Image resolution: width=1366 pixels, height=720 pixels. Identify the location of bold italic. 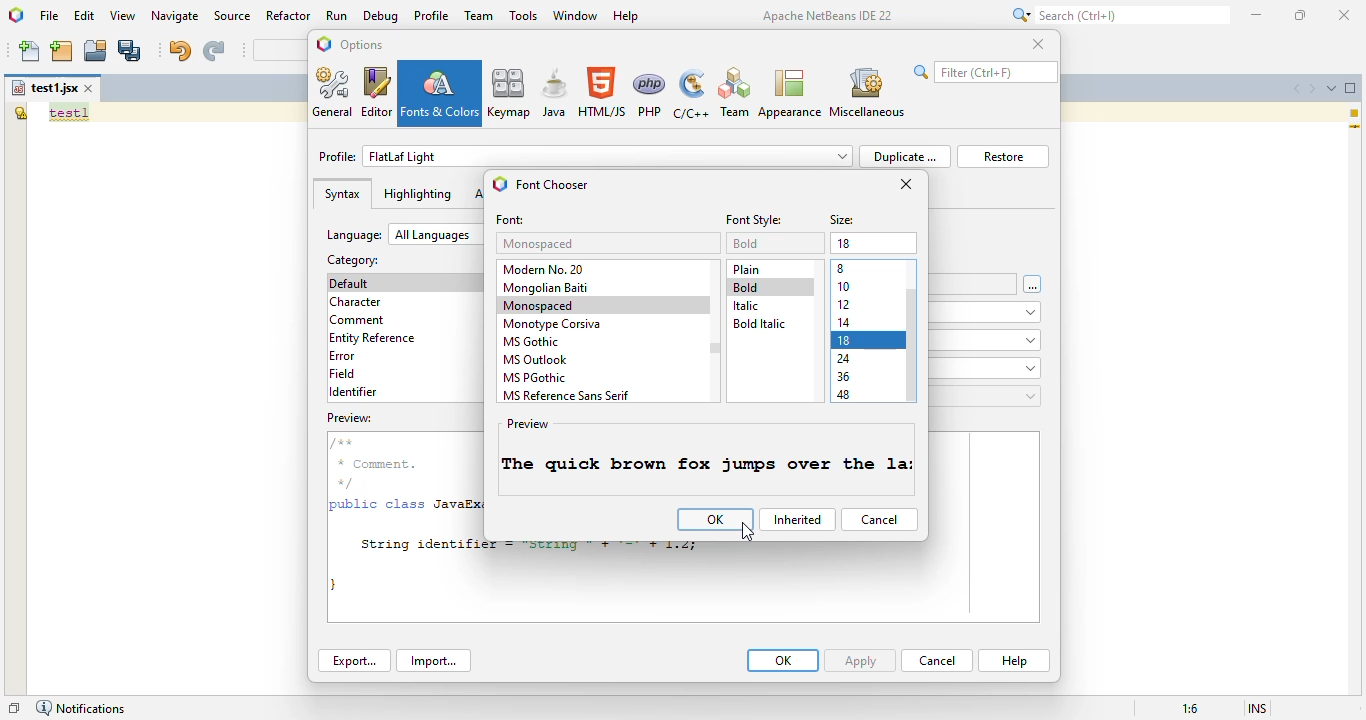
(758, 324).